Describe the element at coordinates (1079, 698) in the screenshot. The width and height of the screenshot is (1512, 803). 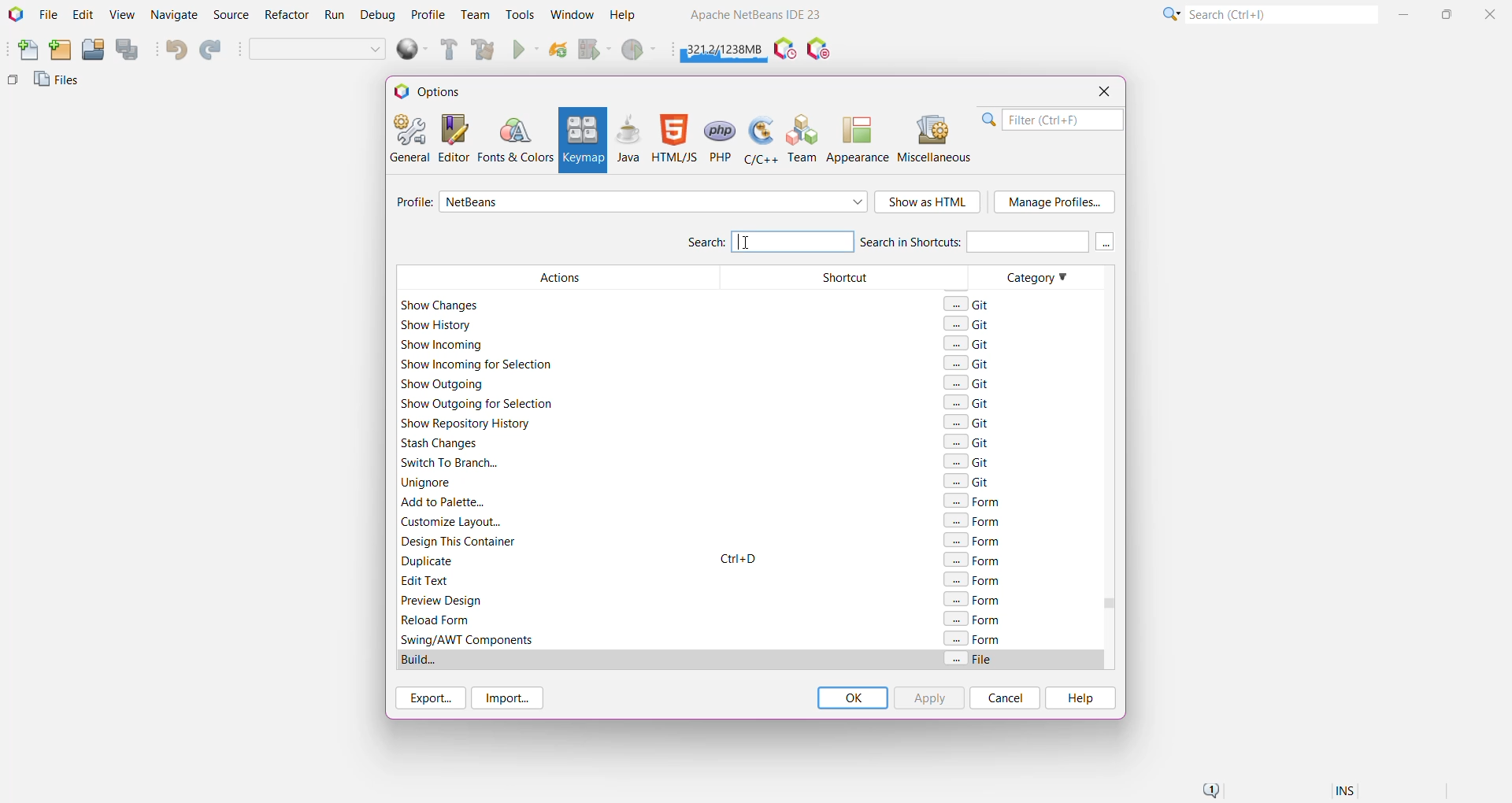
I see `Help` at that location.